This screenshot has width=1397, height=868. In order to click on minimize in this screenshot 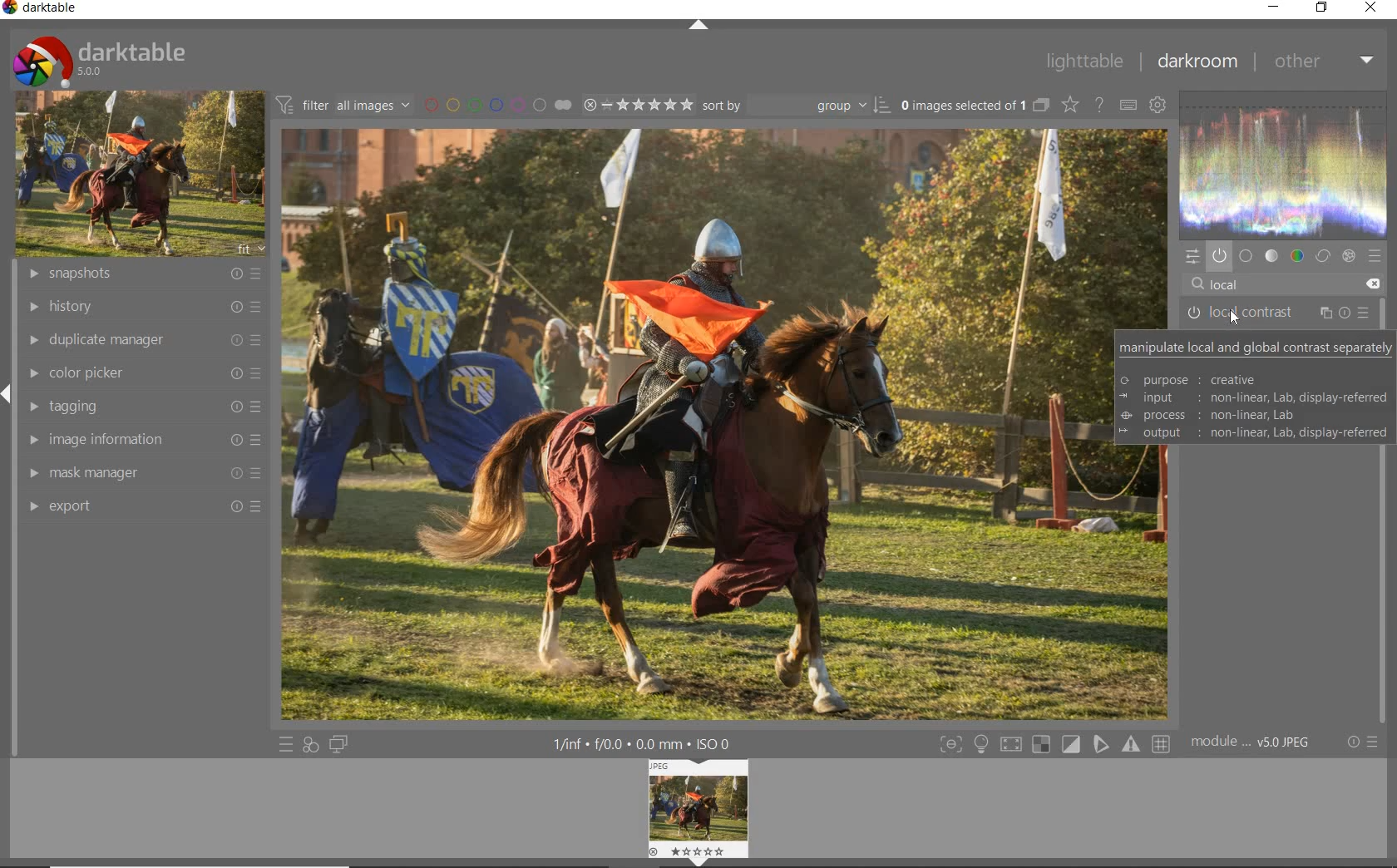, I will do `click(1276, 8)`.